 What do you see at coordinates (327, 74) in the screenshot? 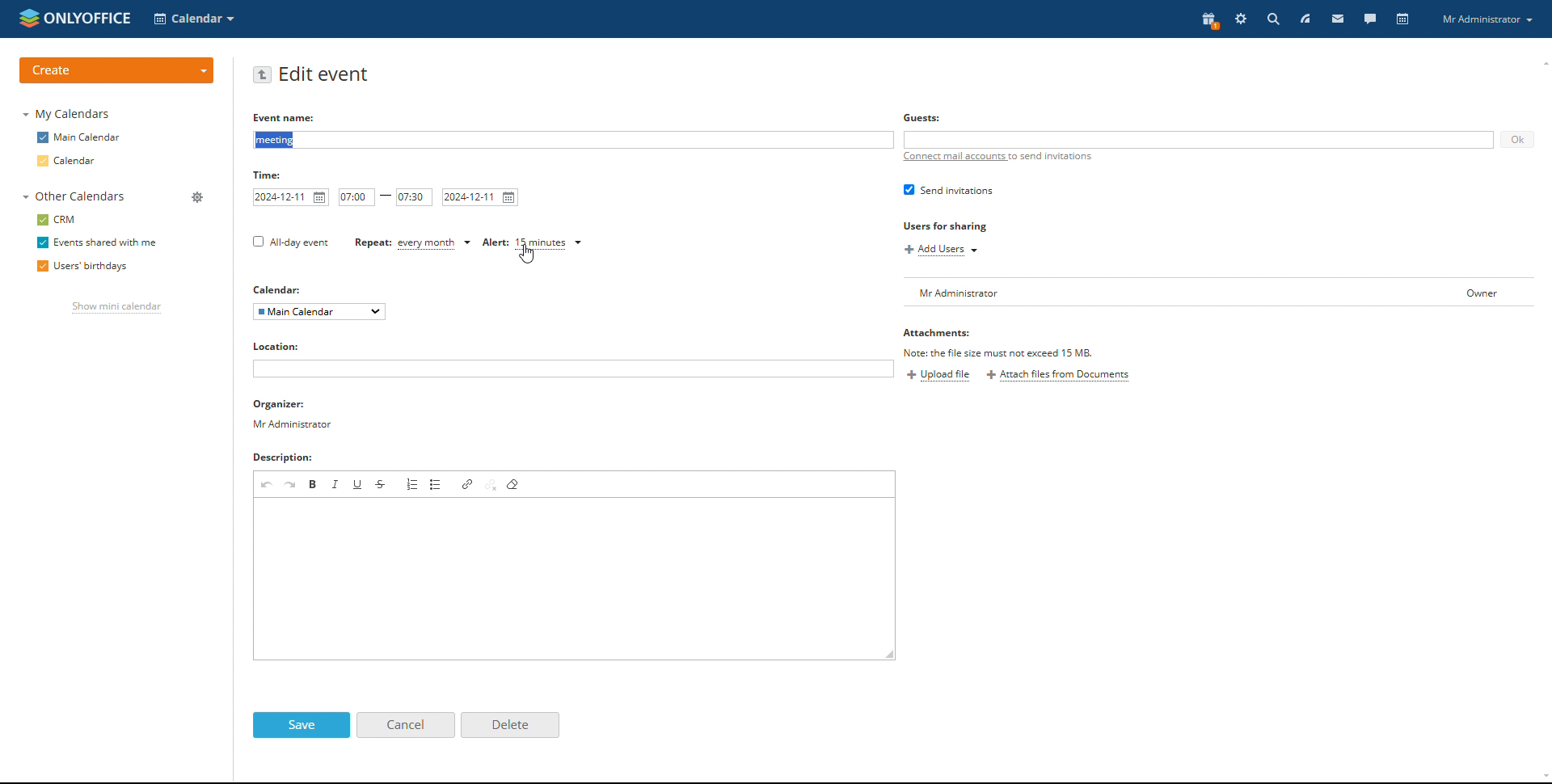
I see `edit event` at bounding box center [327, 74].